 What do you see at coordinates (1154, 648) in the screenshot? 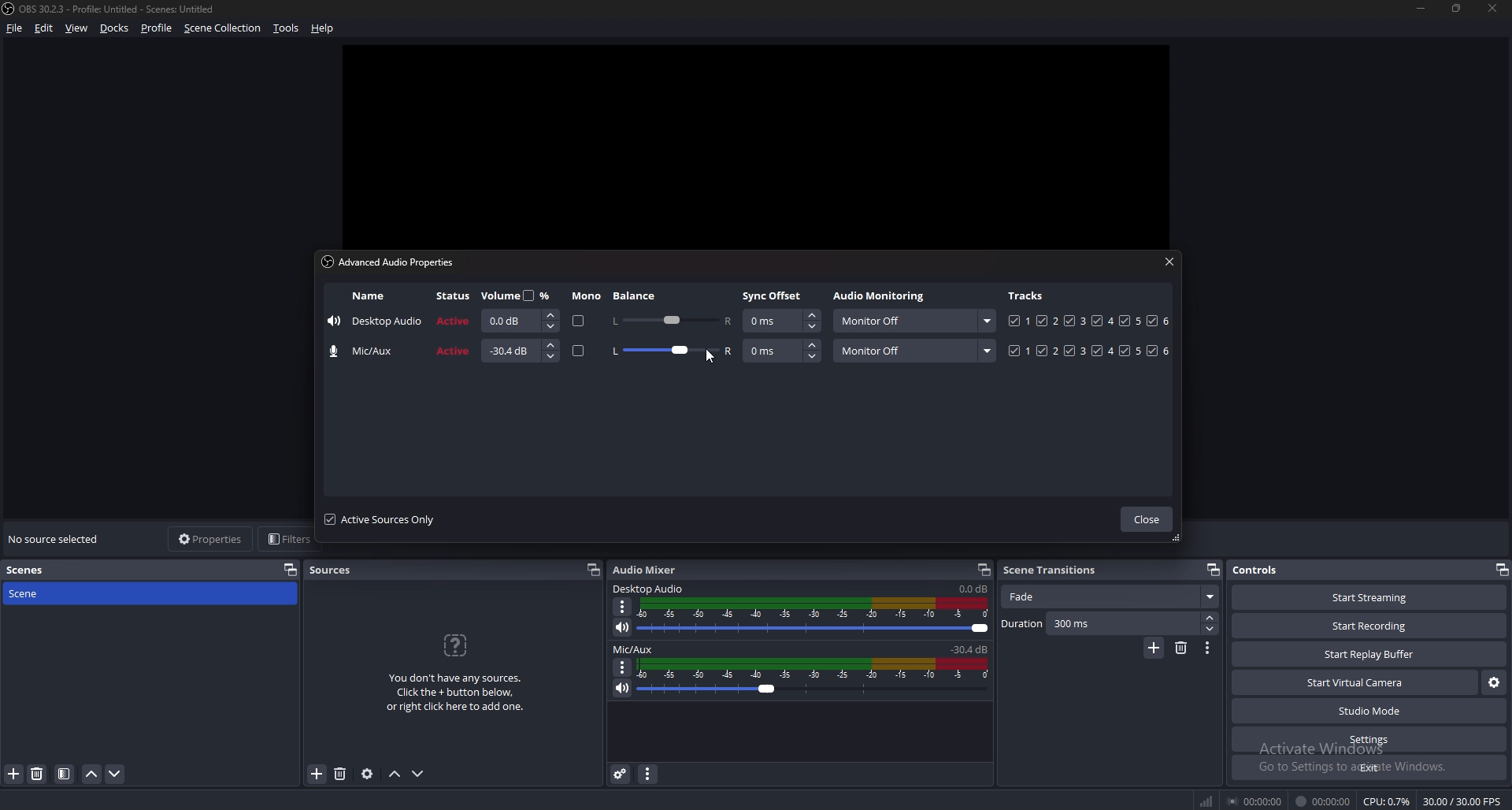
I see `add scene` at bounding box center [1154, 648].